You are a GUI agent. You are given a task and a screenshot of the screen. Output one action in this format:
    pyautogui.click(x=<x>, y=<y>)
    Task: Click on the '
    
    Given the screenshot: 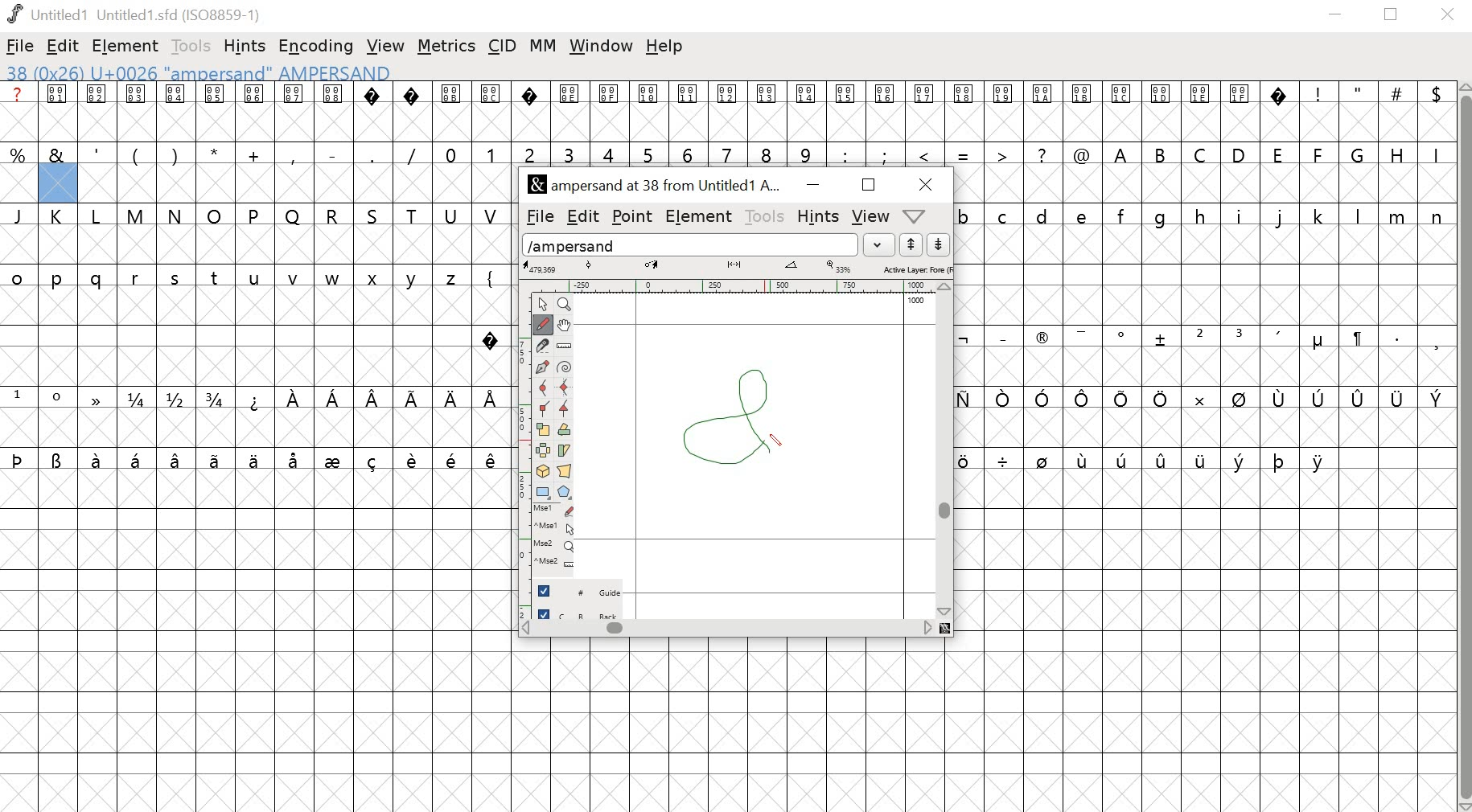 What is the action you would take?
    pyautogui.click(x=1281, y=338)
    